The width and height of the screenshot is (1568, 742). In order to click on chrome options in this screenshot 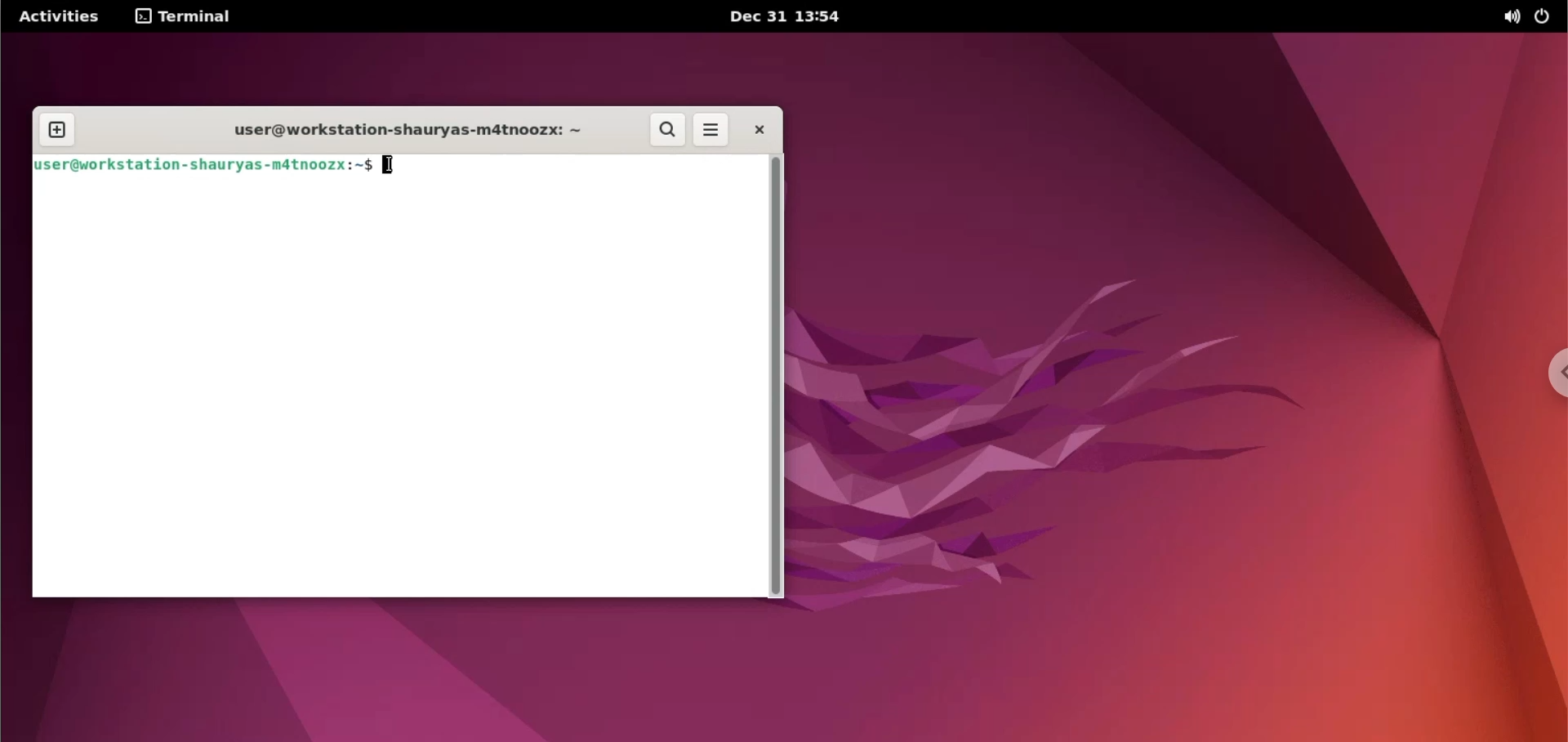, I will do `click(1552, 374)`.